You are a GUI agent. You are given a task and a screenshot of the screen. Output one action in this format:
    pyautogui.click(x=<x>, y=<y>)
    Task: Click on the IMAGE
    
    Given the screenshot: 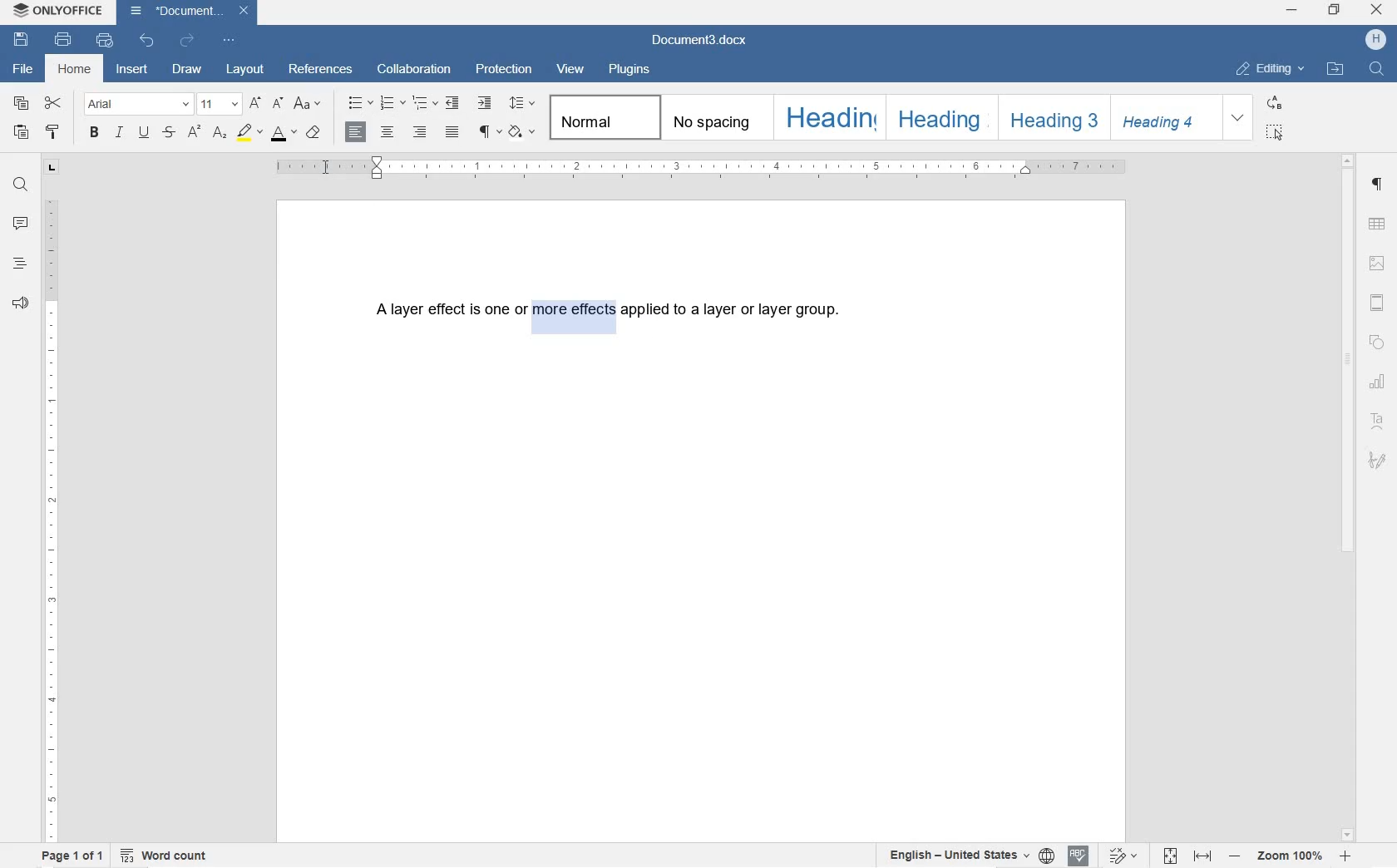 What is the action you would take?
    pyautogui.click(x=1380, y=264)
    